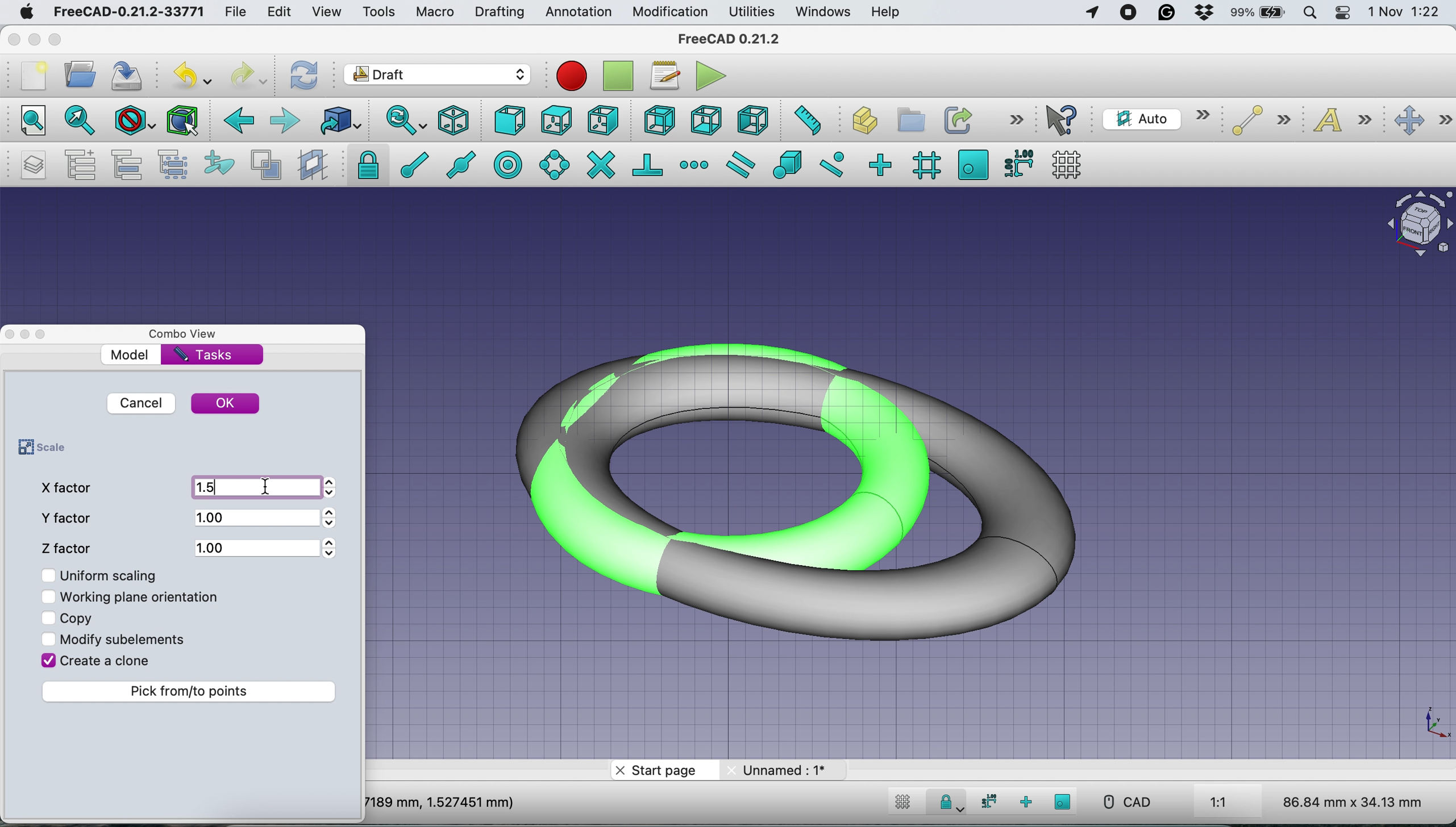 The width and height of the screenshot is (1456, 827). Describe the element at coordinates (192, 73) in the screenshot. I see `undo` at that location.